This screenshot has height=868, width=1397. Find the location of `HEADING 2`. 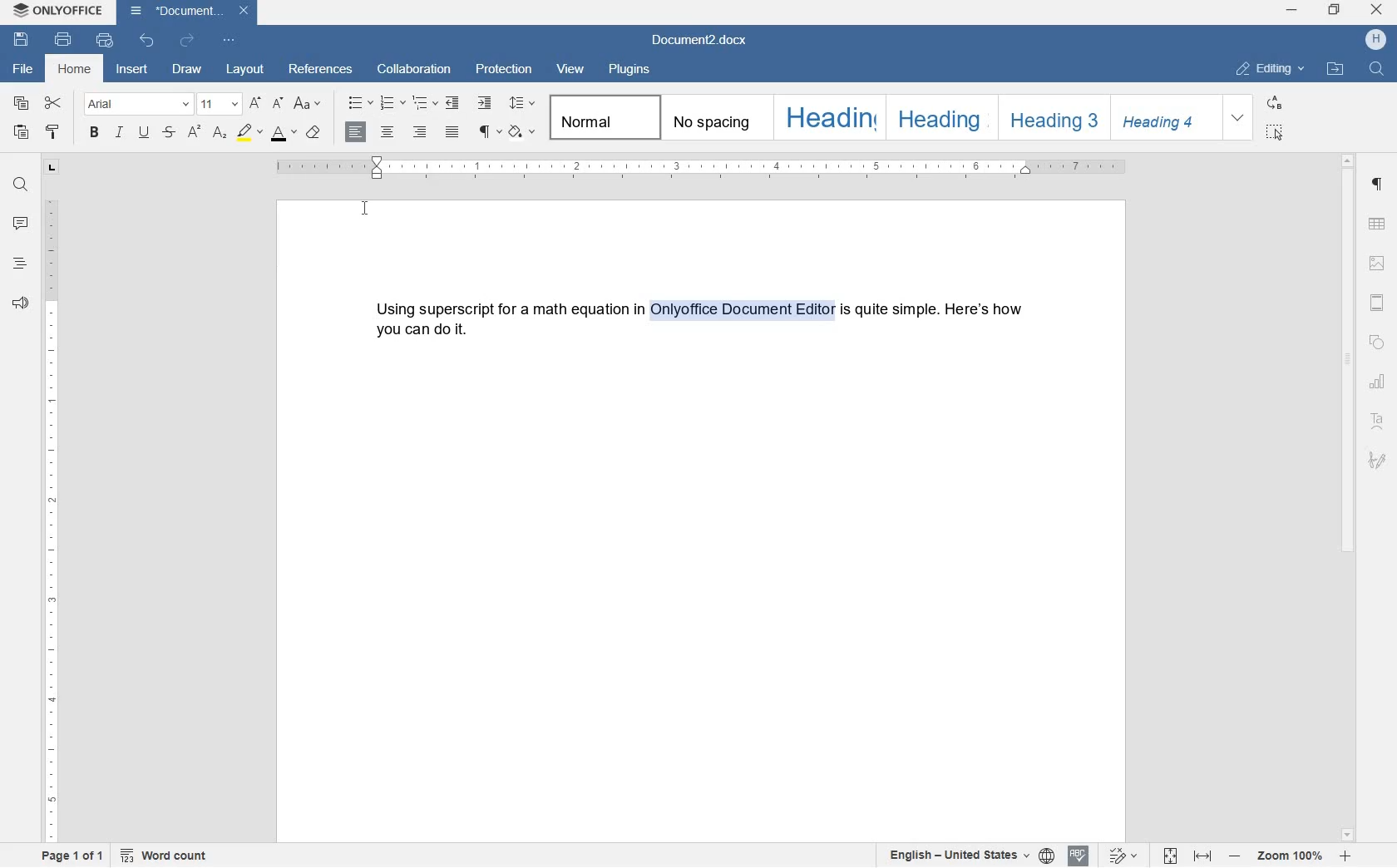

HEADING 2 is located at coordinates (937, 116).